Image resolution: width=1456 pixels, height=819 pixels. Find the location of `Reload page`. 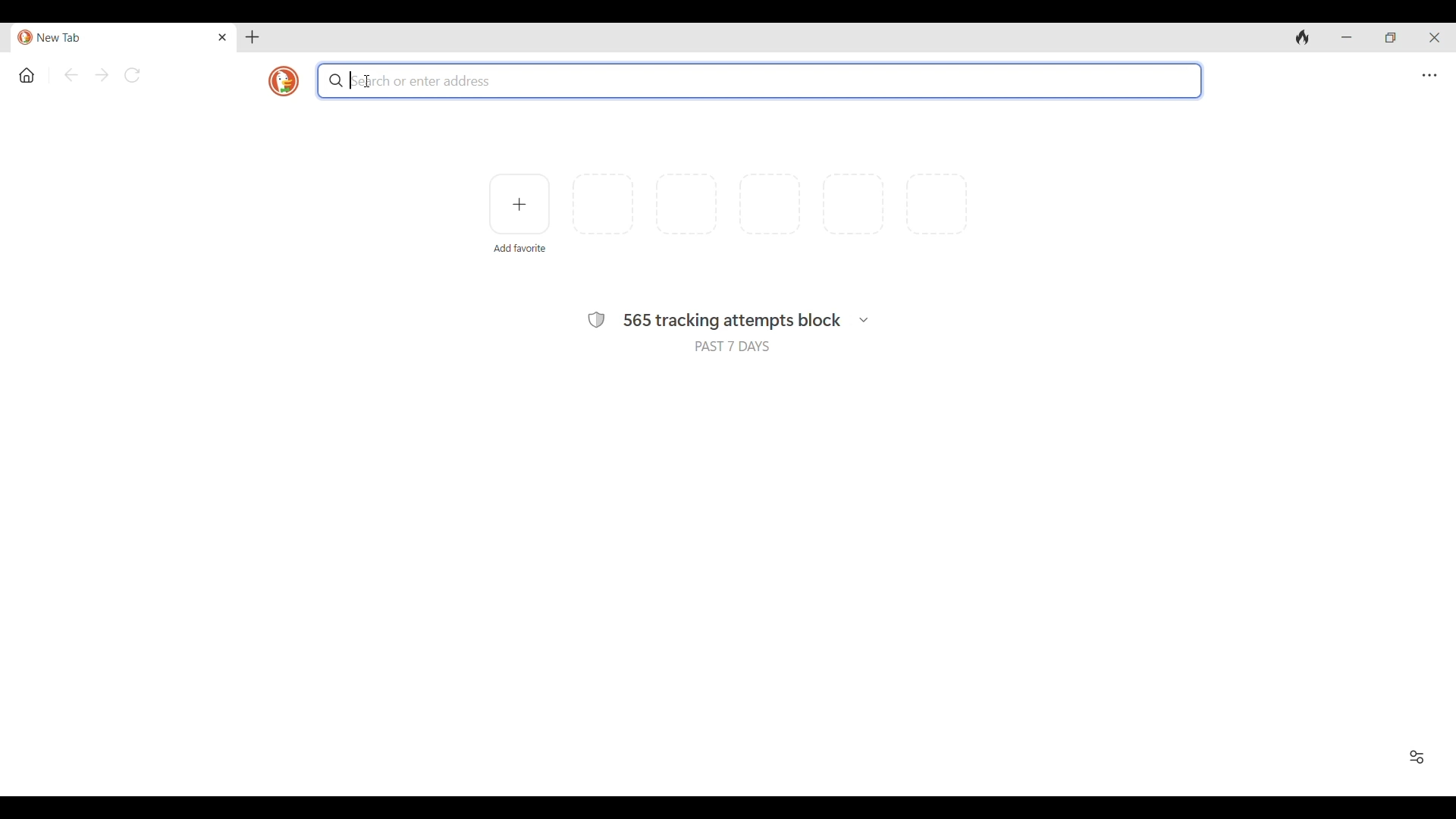

Reload page is located at coordinates (131, 75).